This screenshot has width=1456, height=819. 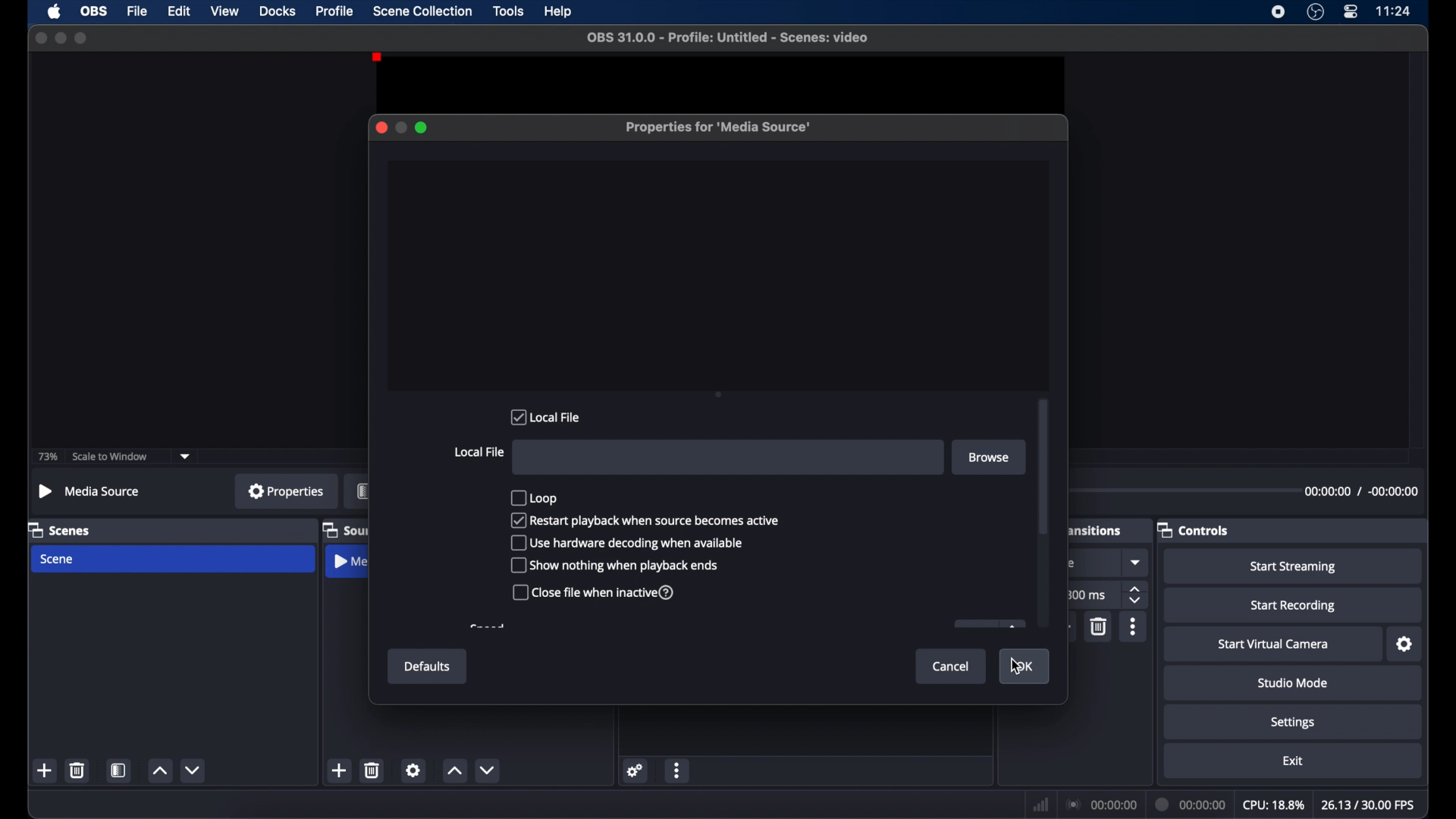 I want to click on decrement, so click(x=486, y=770).